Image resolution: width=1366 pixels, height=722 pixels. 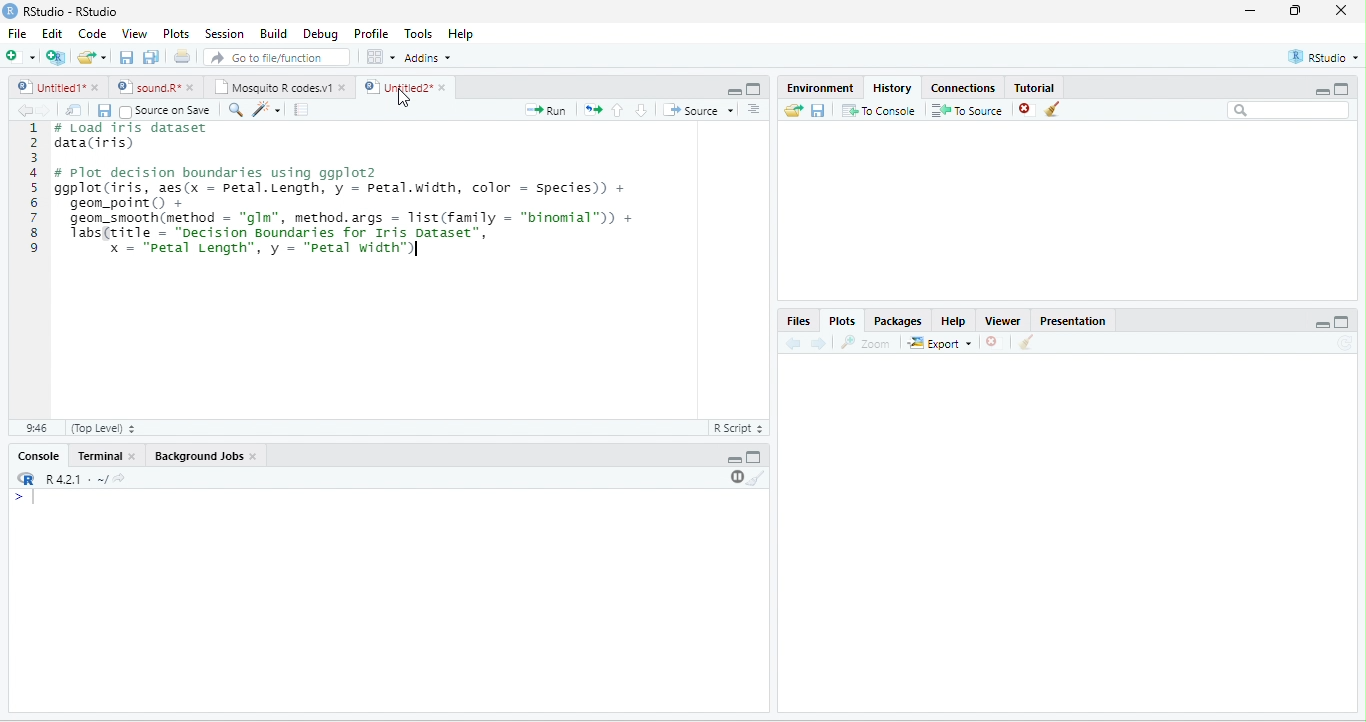 I want to click on Connections, so click(x=962, y=88).